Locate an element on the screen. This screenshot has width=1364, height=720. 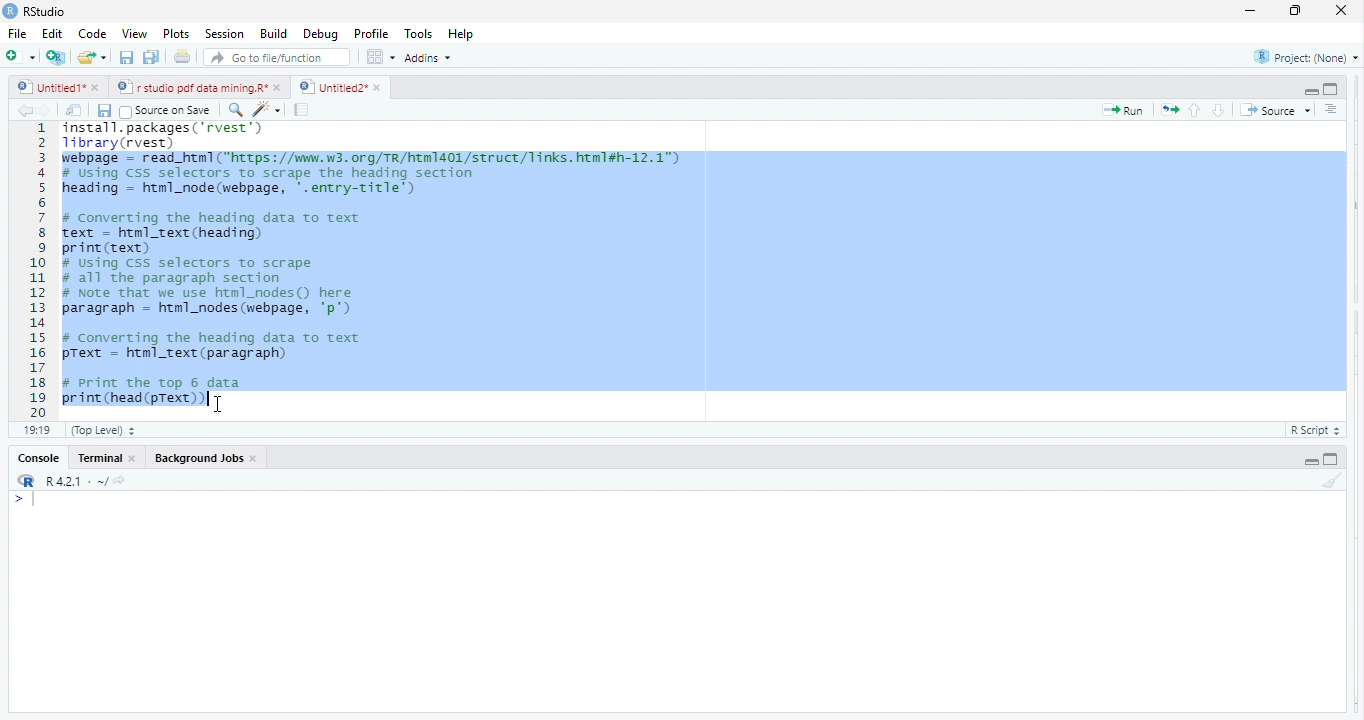
Build is located at coordinates (274, 34).